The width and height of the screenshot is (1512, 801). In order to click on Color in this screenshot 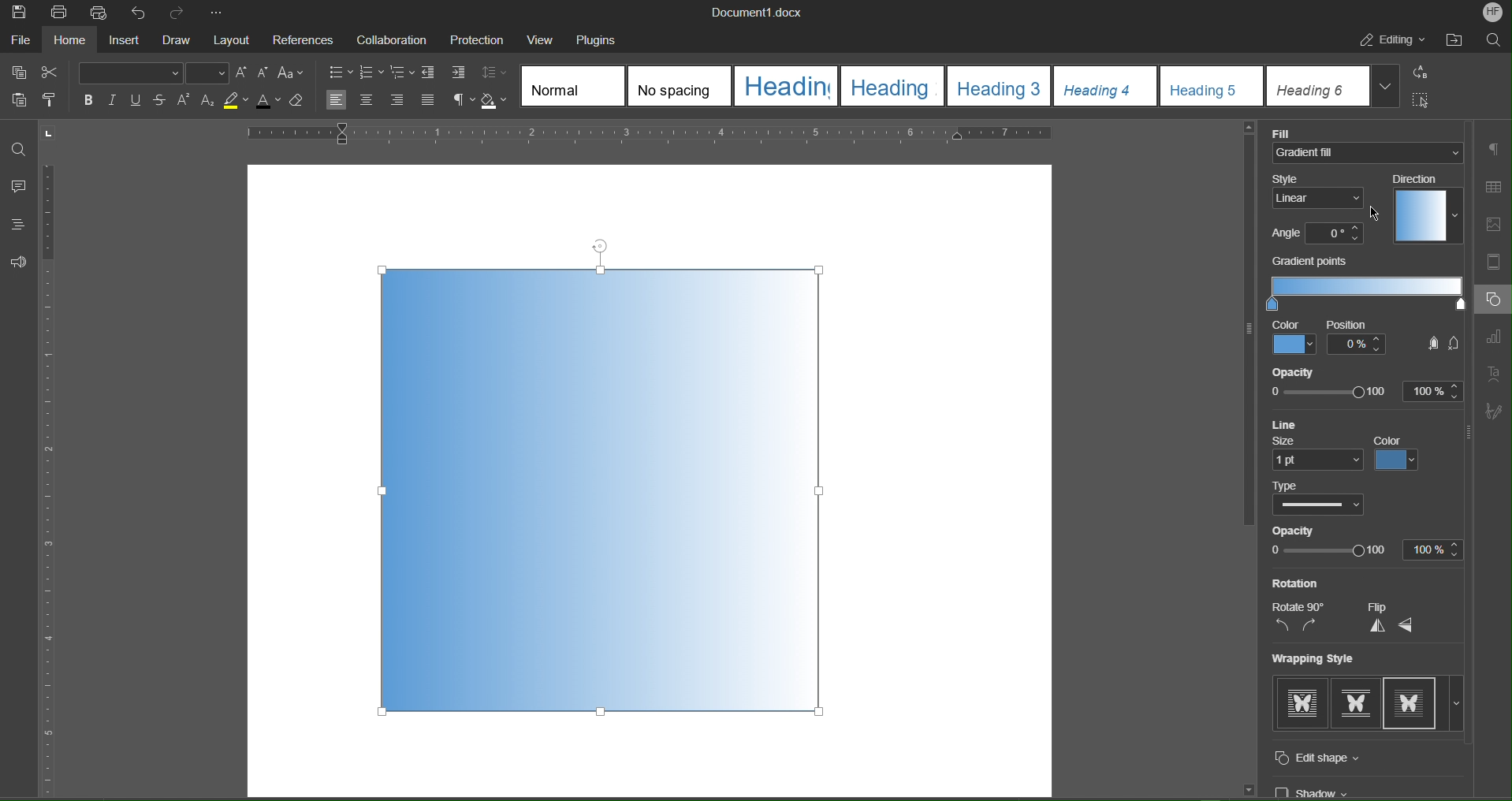, I will do `click(1286, 324)`.